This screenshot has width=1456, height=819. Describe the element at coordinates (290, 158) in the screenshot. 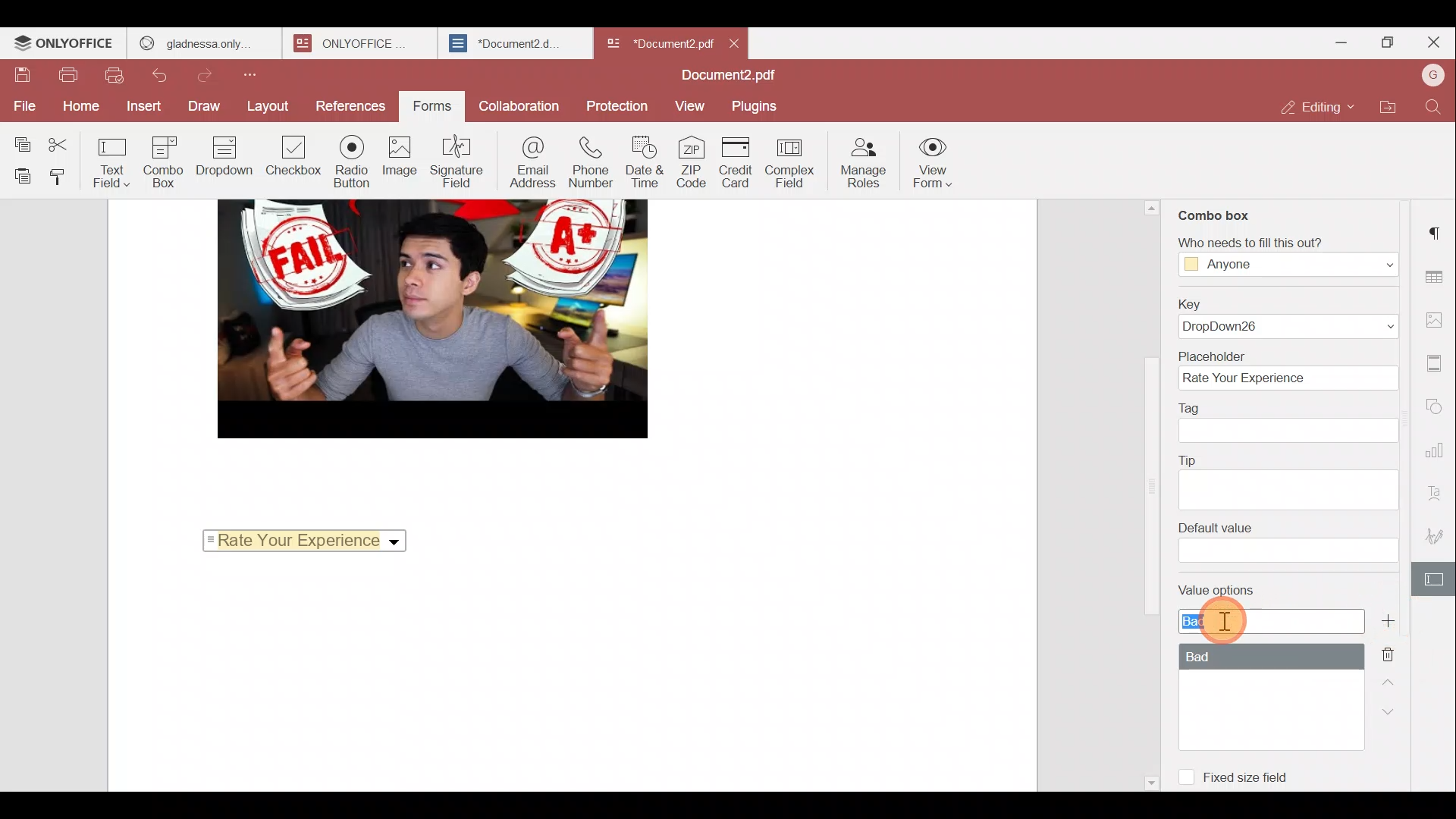

I see `Checkbox` at that location.